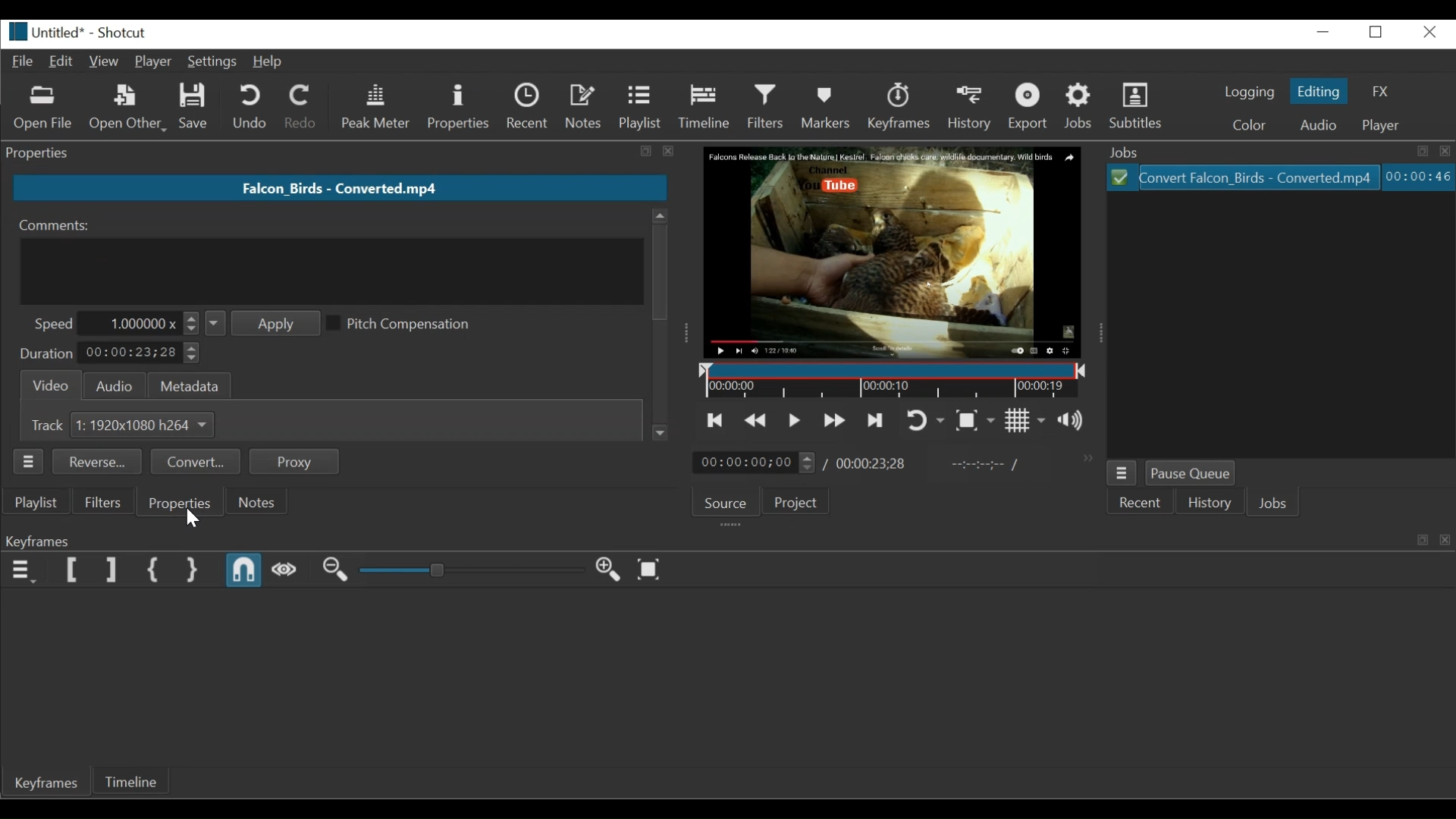 This screenshot has width=1456, height=819. Describe the element at coordinates (1382, 89) in the screenshot. I see `FX` at that location.